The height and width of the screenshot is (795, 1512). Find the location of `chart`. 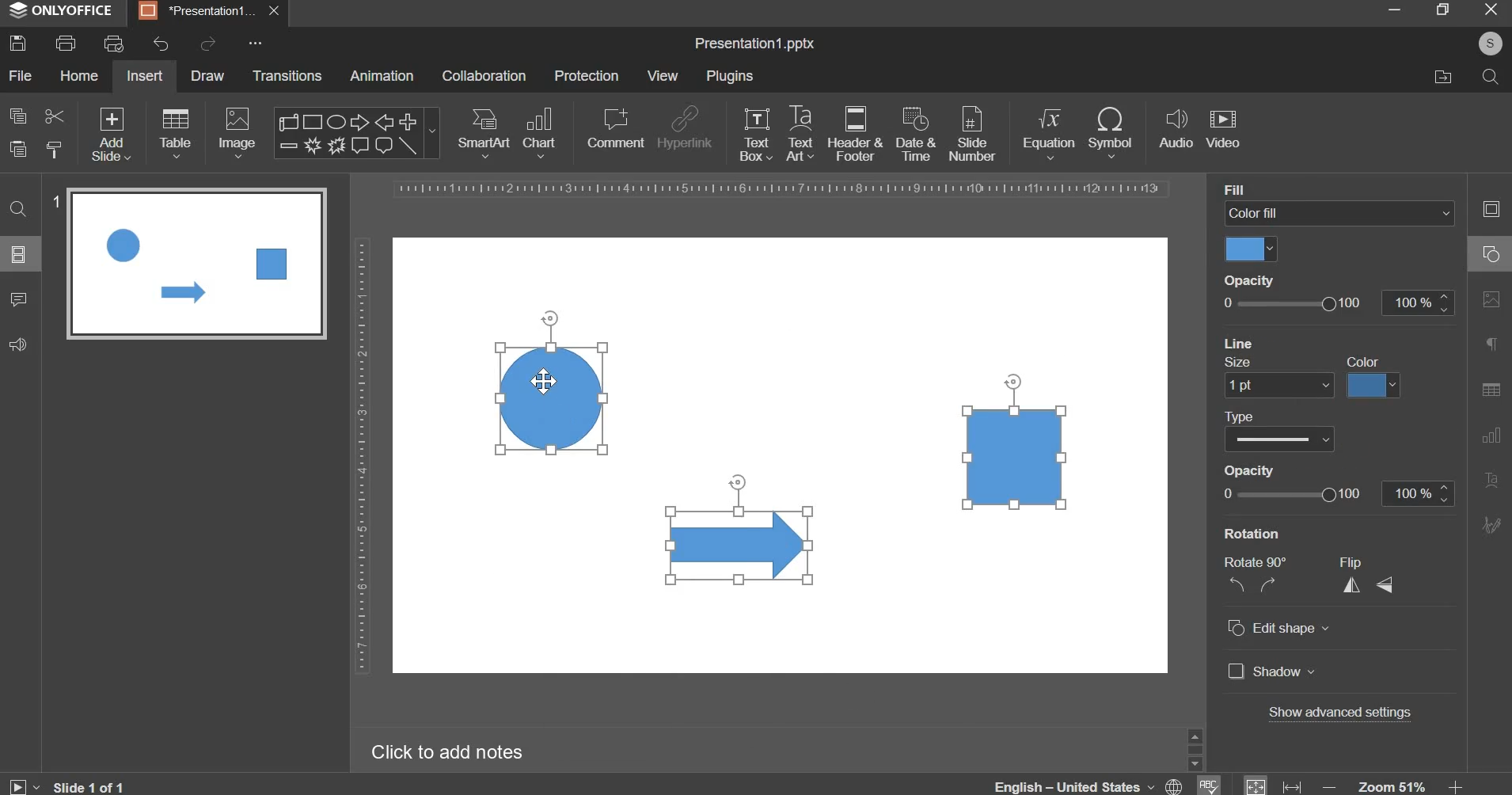

chart is located at coordinates (541, 131).